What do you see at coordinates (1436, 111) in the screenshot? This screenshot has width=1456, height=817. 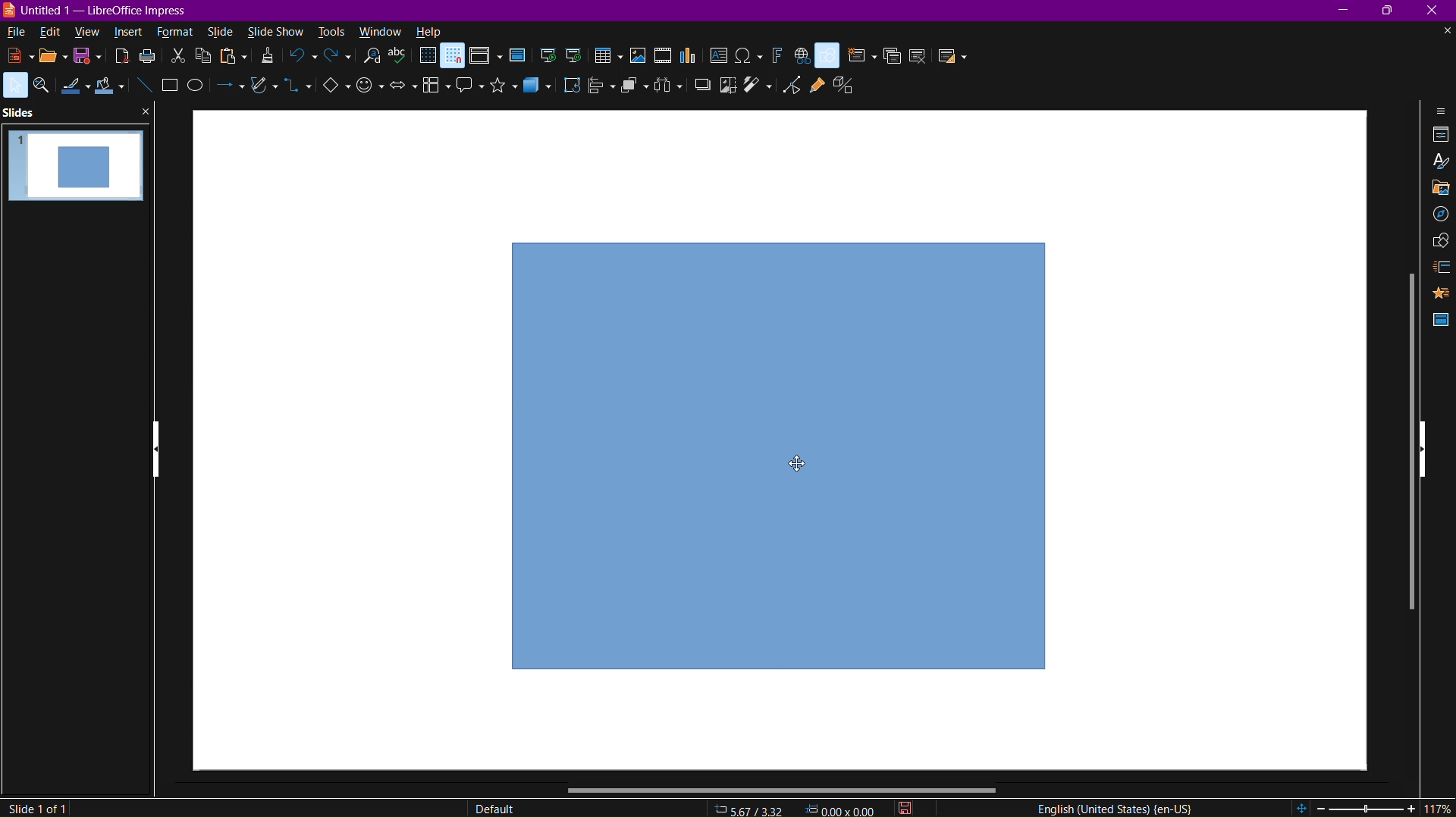 I see `Sidebar Settings` at bounding box center [1436, 111].